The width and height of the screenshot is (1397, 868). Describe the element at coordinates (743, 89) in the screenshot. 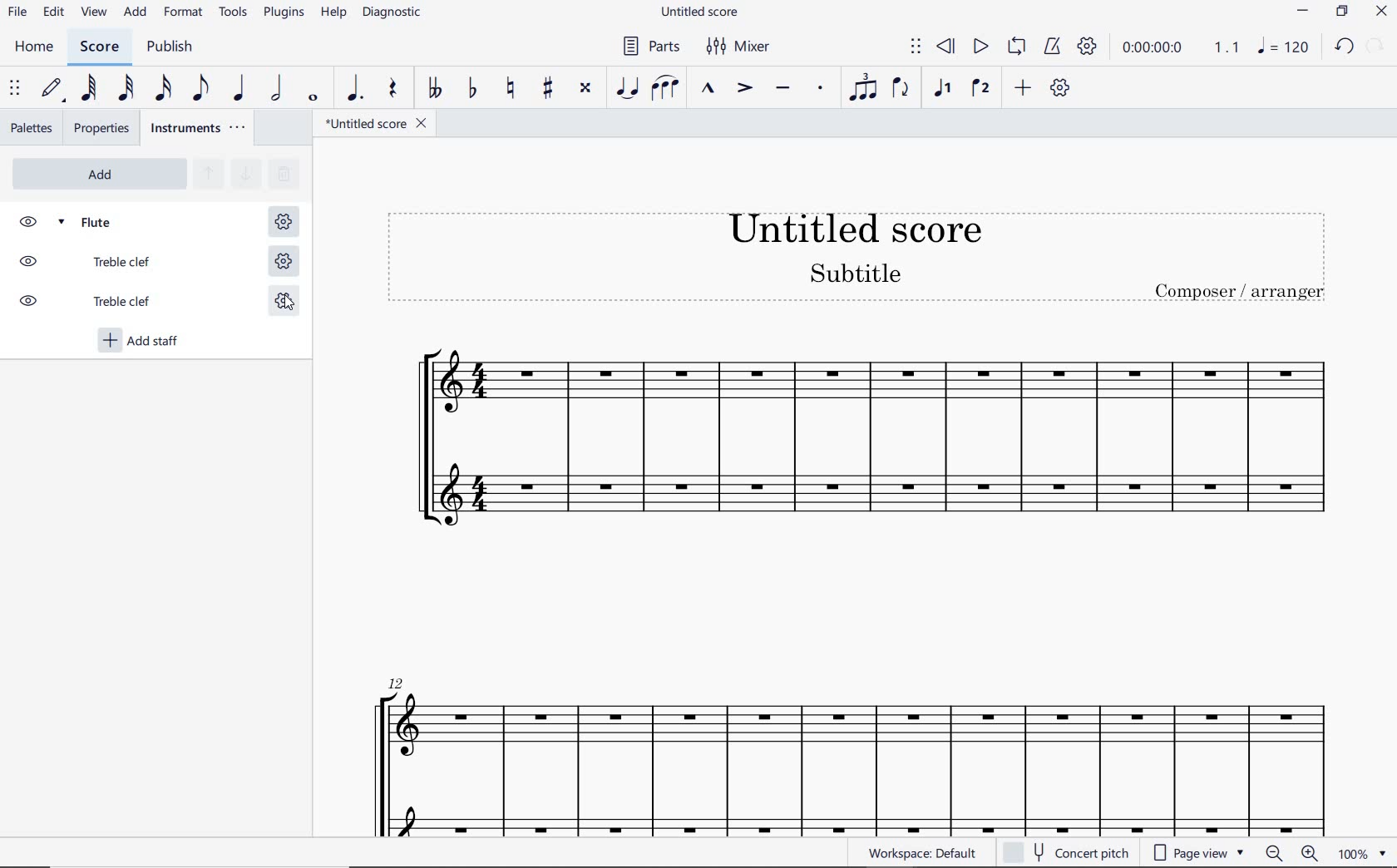

I see `ACCENT` at that location.